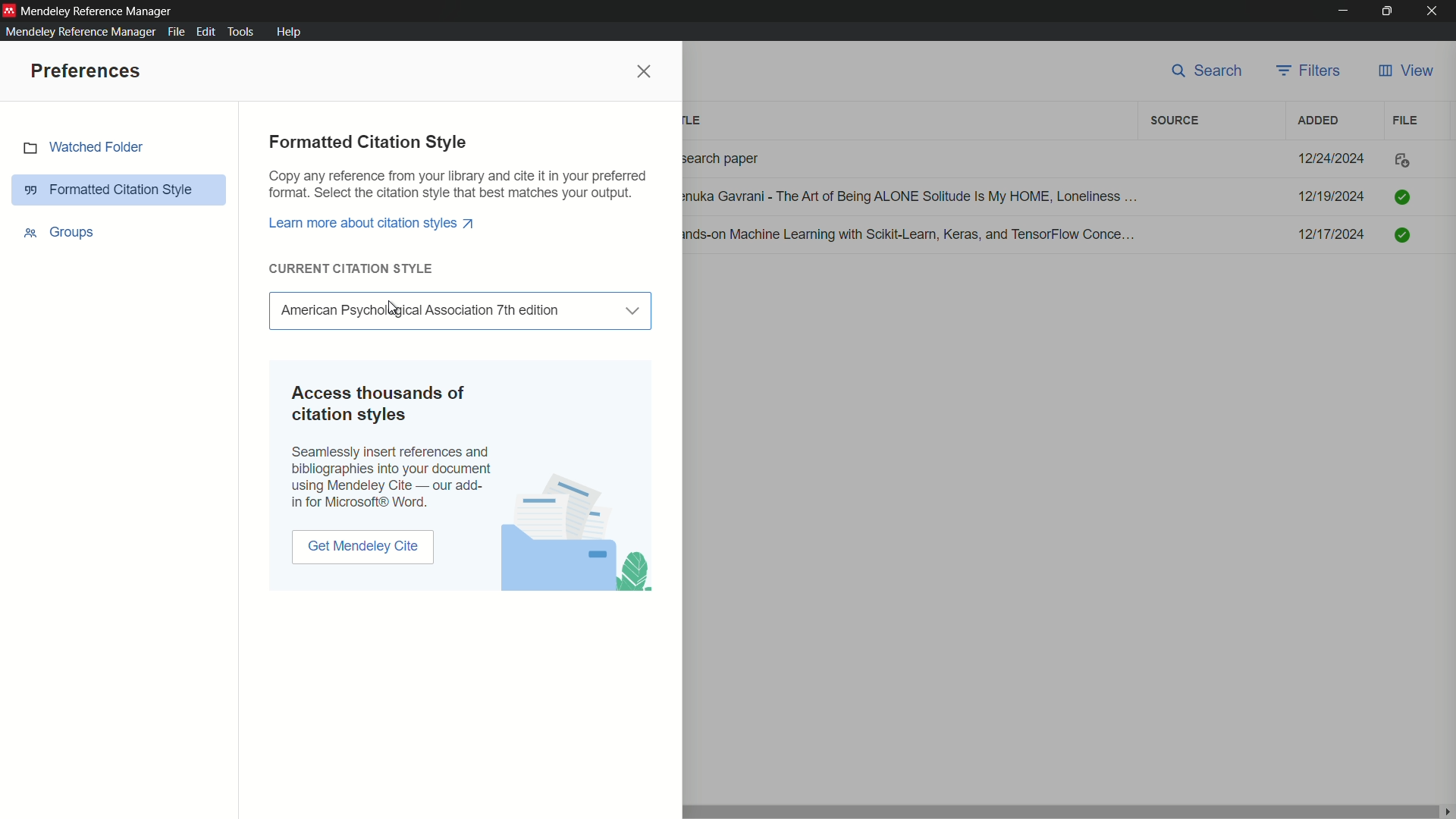 This screenshot has height=819, width=1456. I want to click on maximize, so click(1389, 11).